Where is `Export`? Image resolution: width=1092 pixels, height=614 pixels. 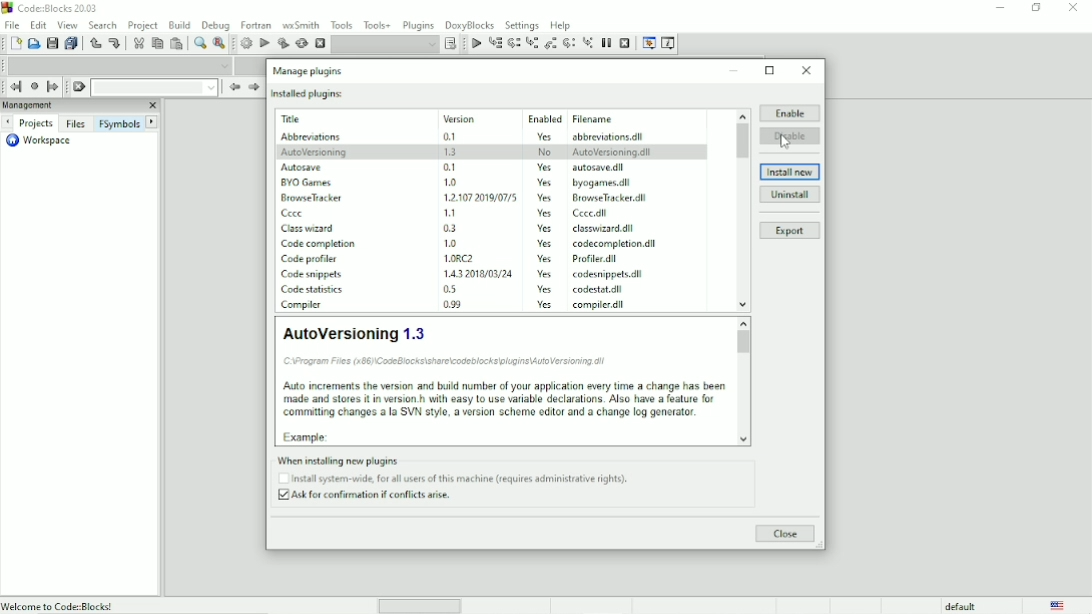
Export is located at coordinates (790, 232).